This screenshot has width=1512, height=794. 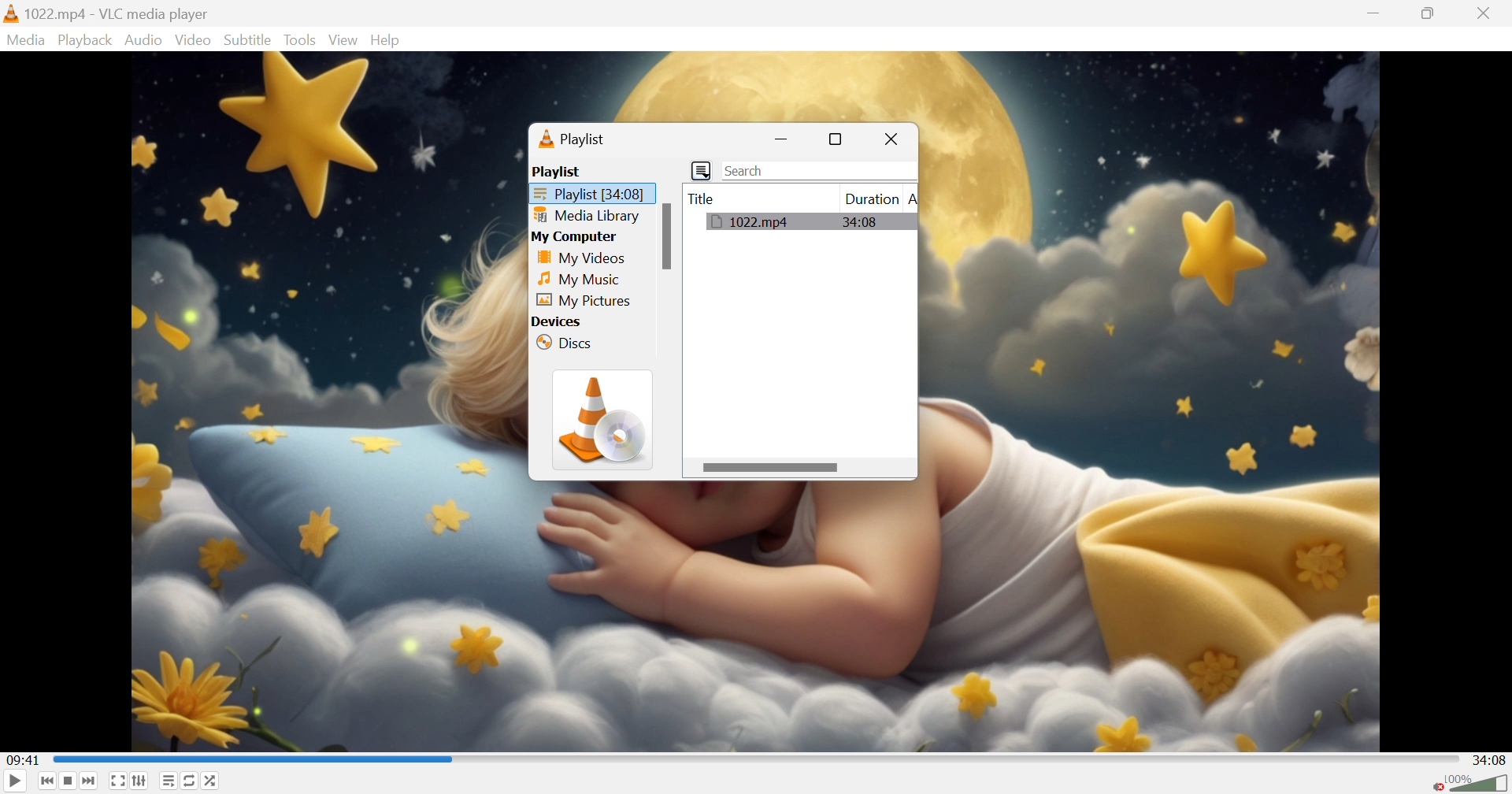 I want to click on My Videos, so click(x=581, y=258).